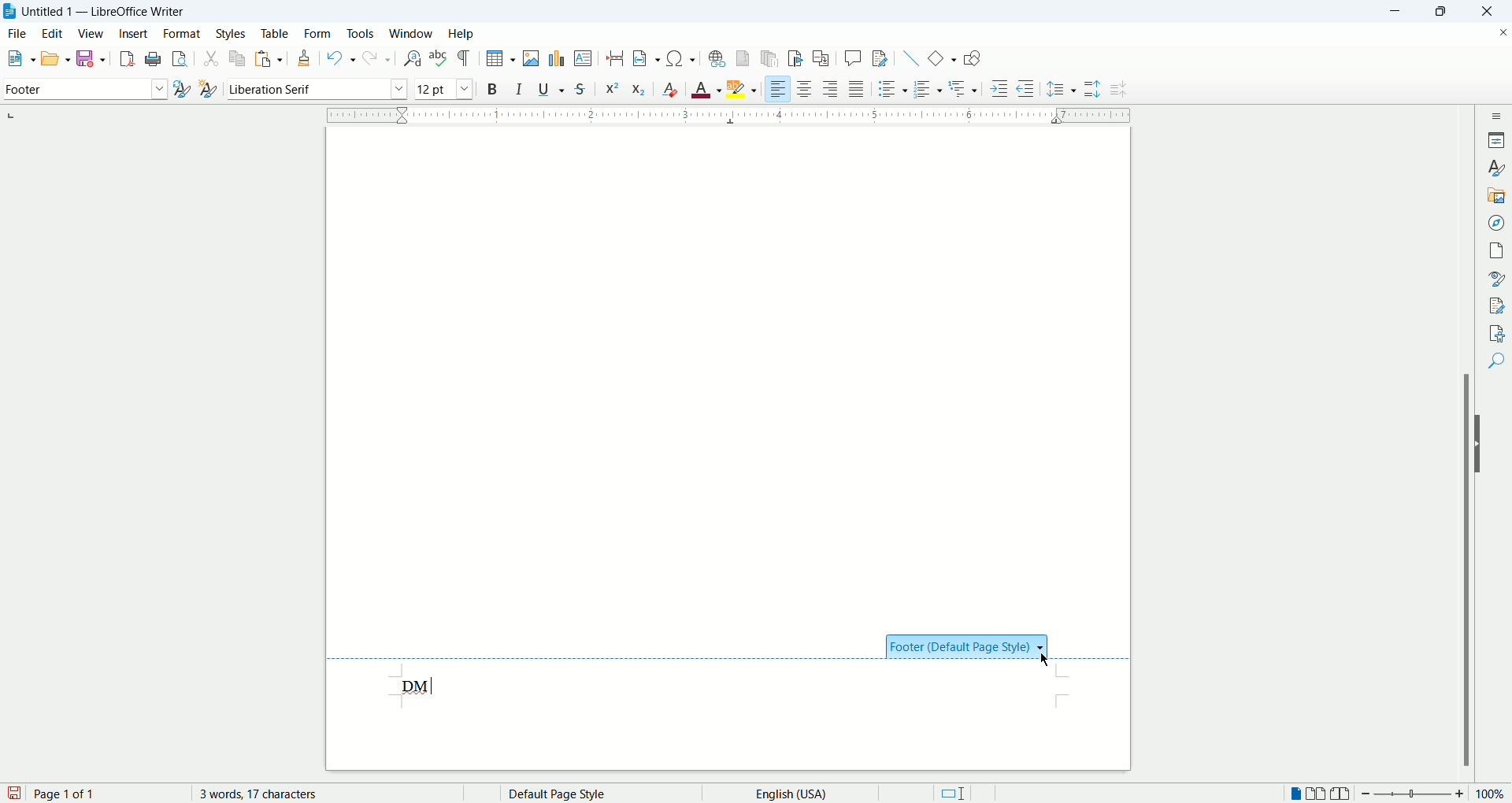  What do you see at coordinates (809, 90) in the screenshot?
I see `align center` at bounding box center [809, 90].